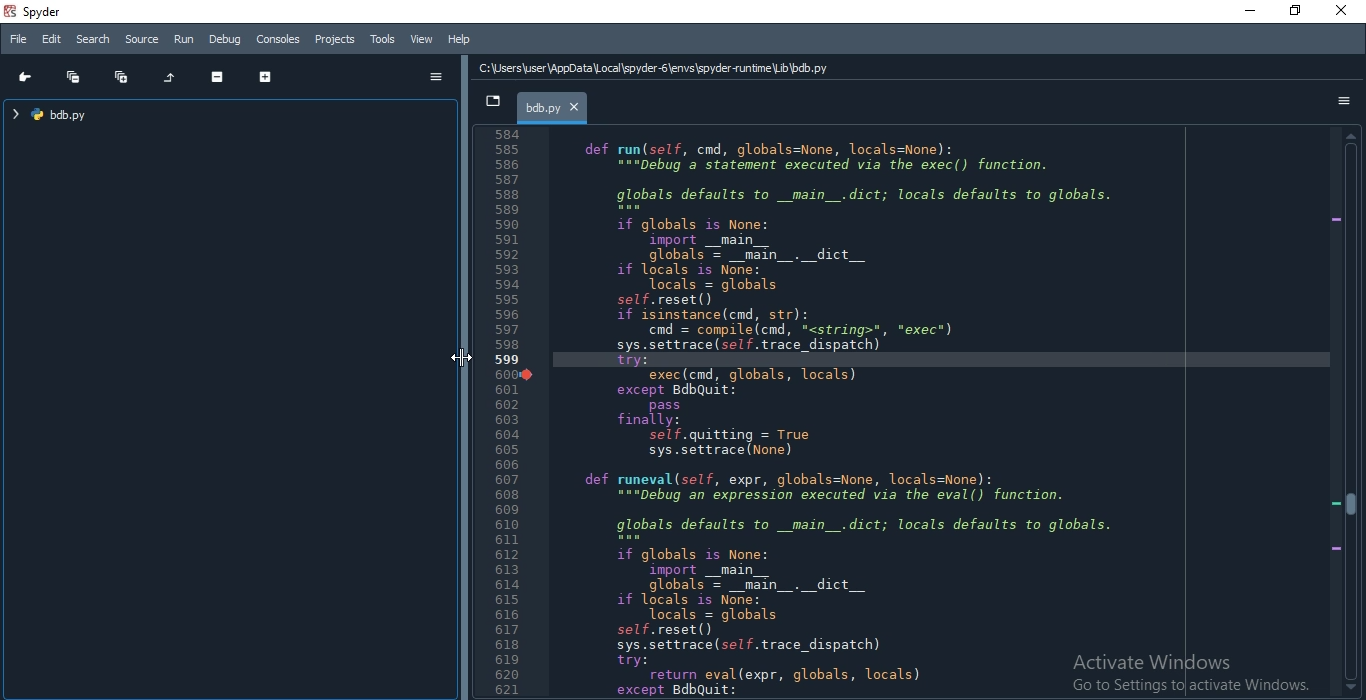 The height and width of the screenshot is (700, 1366). Describe the element at coordinates (653, 67) in the screenshot. I see `C:\Users\user\AppData Local \spyder-6\envs\spyder-runtime\Lib\bdb.py` at that location.